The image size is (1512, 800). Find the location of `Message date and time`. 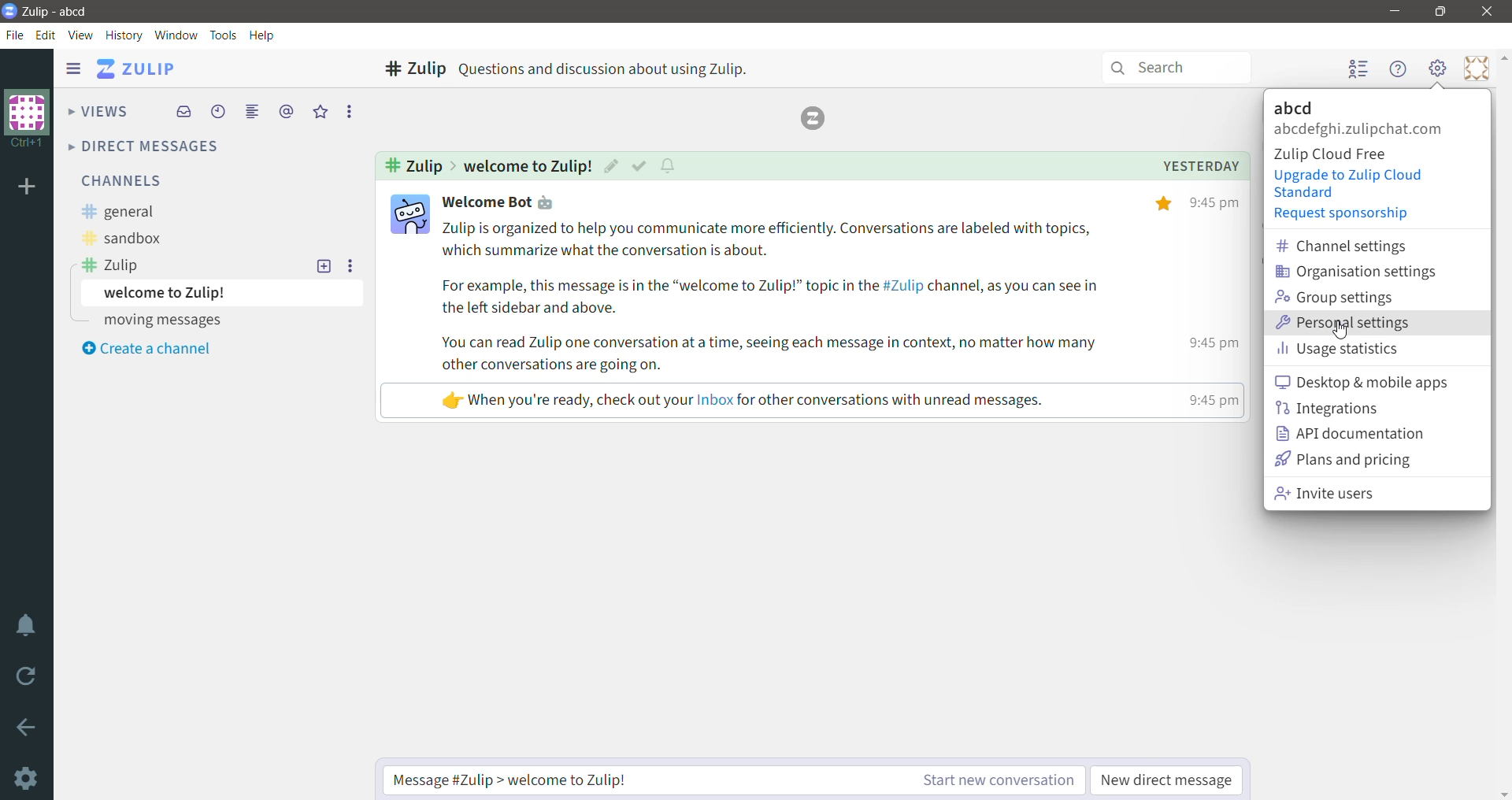

Message date and time is located at coordinates (1177, 166).